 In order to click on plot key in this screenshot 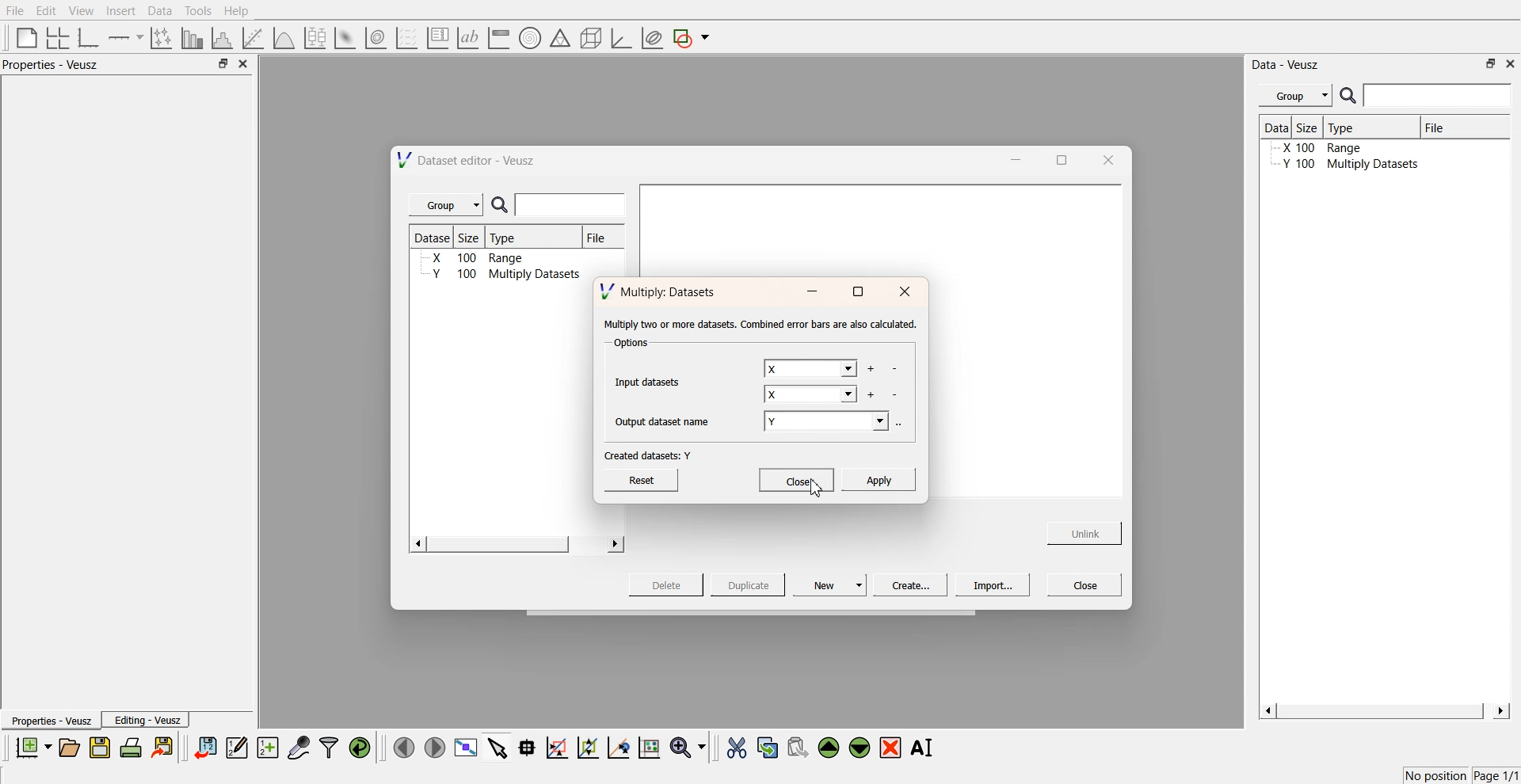, I will do `click(437, 38)`.